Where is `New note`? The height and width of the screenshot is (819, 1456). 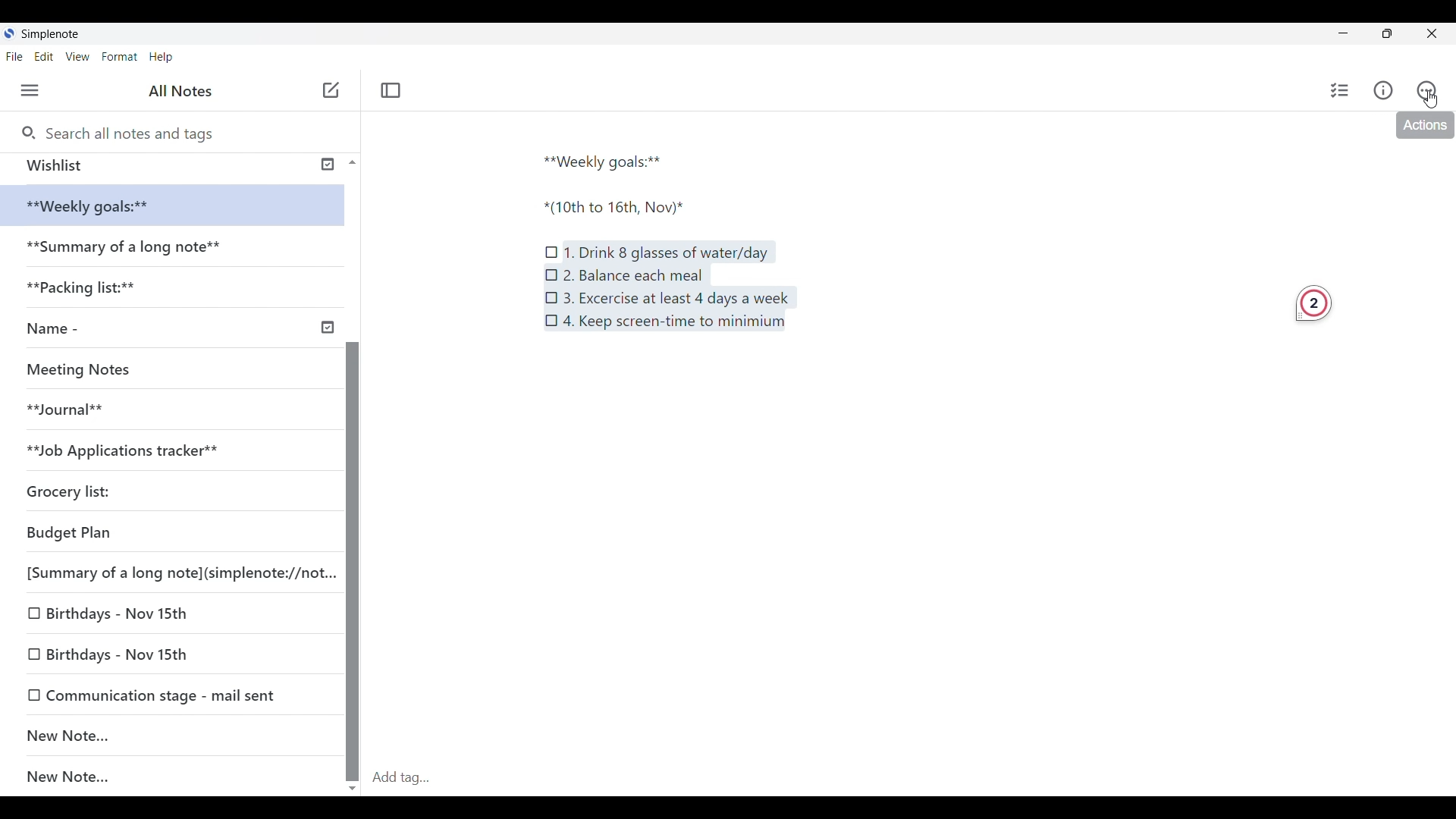
New note is located at coordinates (164, 735).